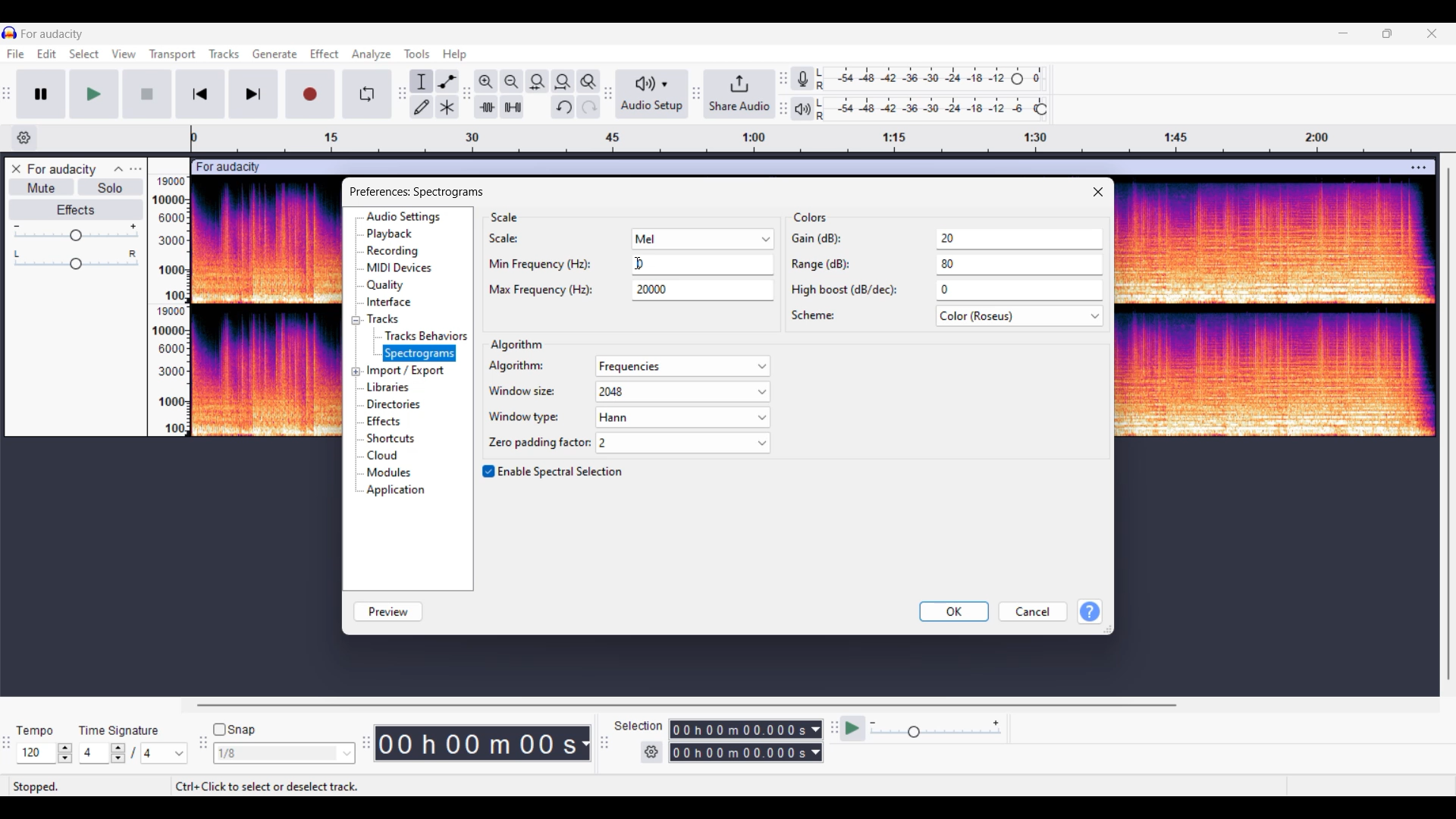  I want to click on Close track, so click(16, 168).